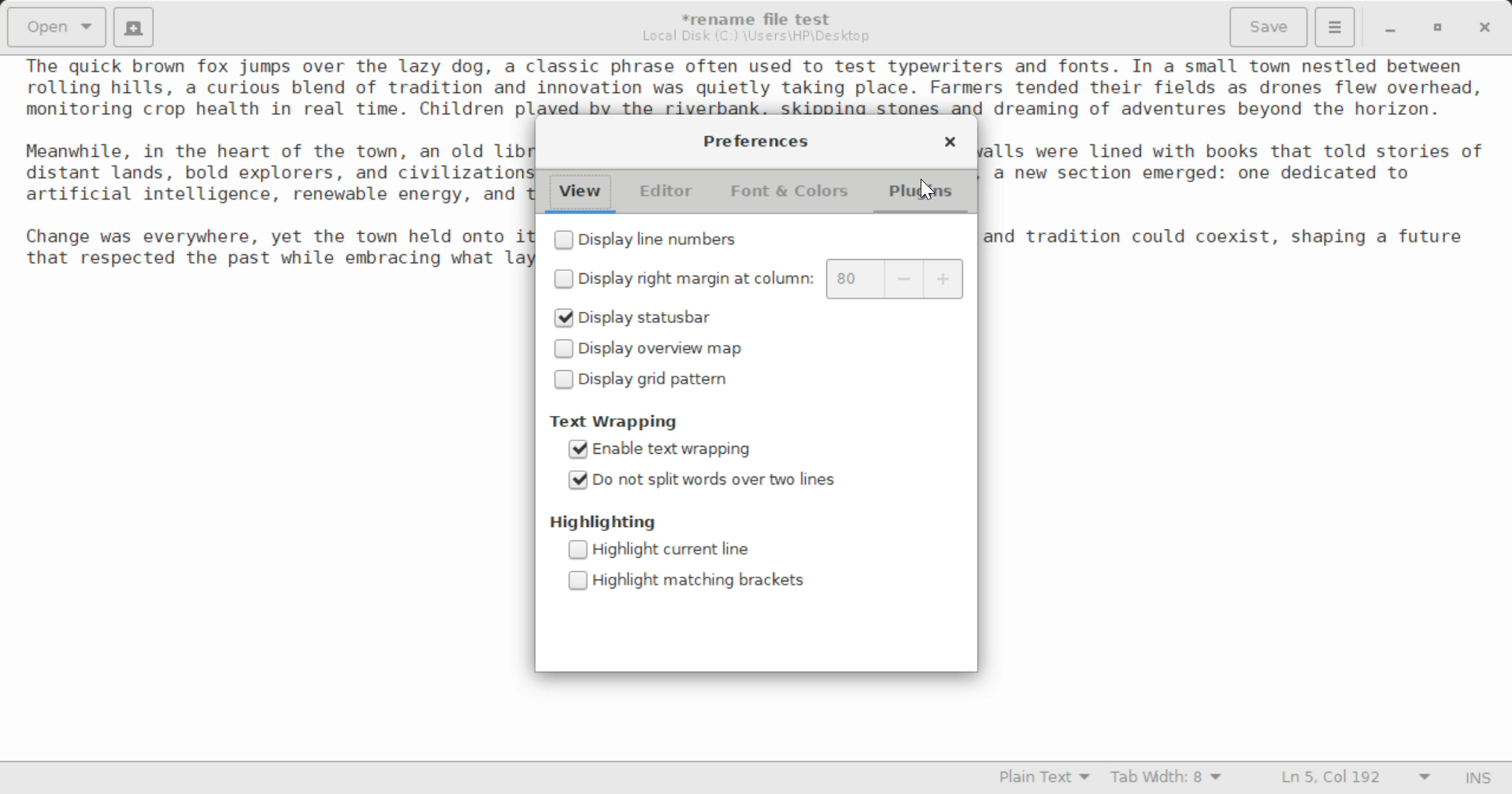  What do you see at coordinates (1045, 779) in the screenshot?
I see `Selected Language` at bounding box center [1045, 779].